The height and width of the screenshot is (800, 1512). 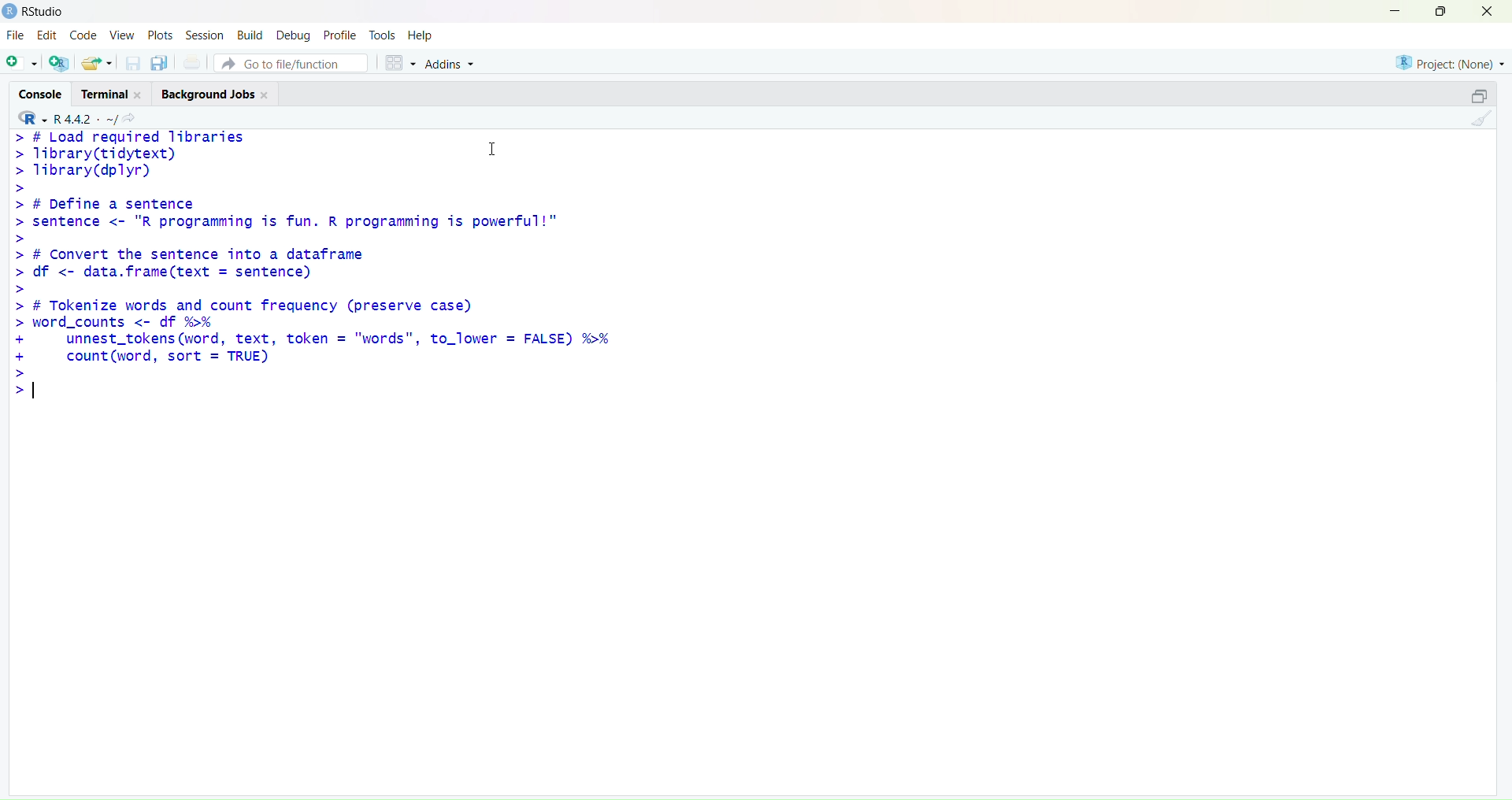 What do you see at coordinates (161, 63) in the screenshot?
I see `save all open documents` at bounding box center [161, 63].